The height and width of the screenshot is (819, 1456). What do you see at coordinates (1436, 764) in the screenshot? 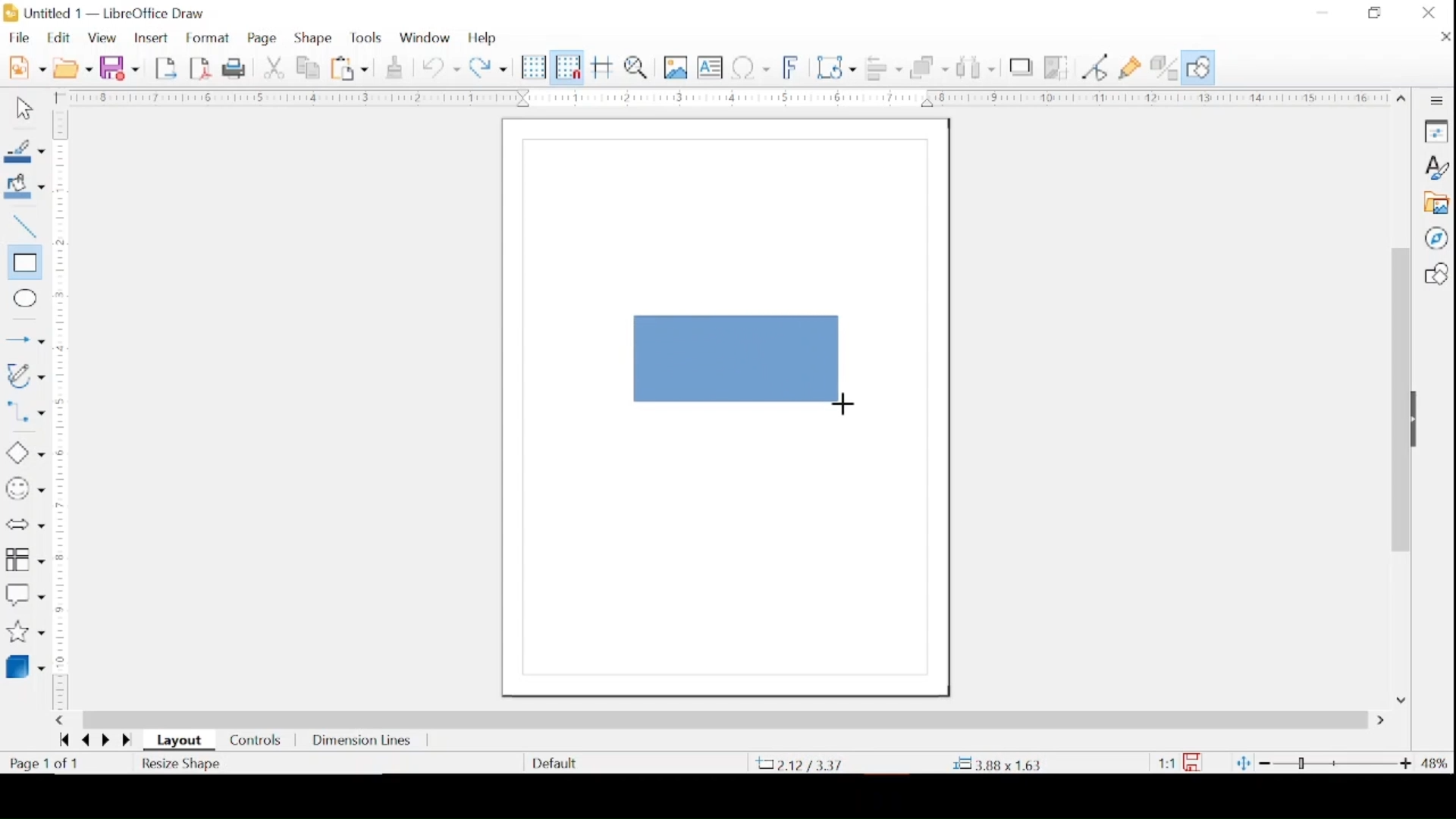
I see `zoom level` at bounding box center [1436, 764].